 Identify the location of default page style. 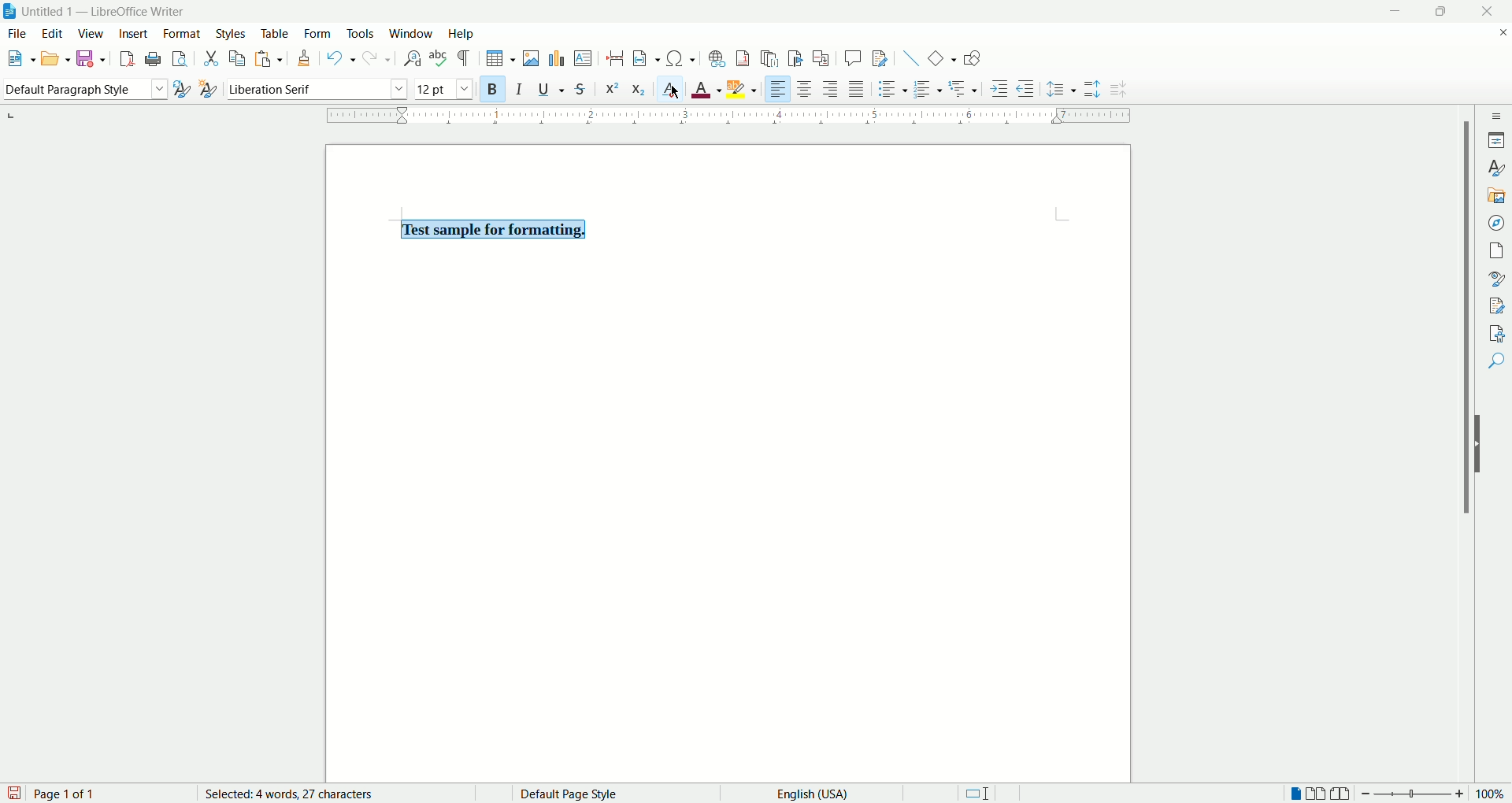
(598, 791).